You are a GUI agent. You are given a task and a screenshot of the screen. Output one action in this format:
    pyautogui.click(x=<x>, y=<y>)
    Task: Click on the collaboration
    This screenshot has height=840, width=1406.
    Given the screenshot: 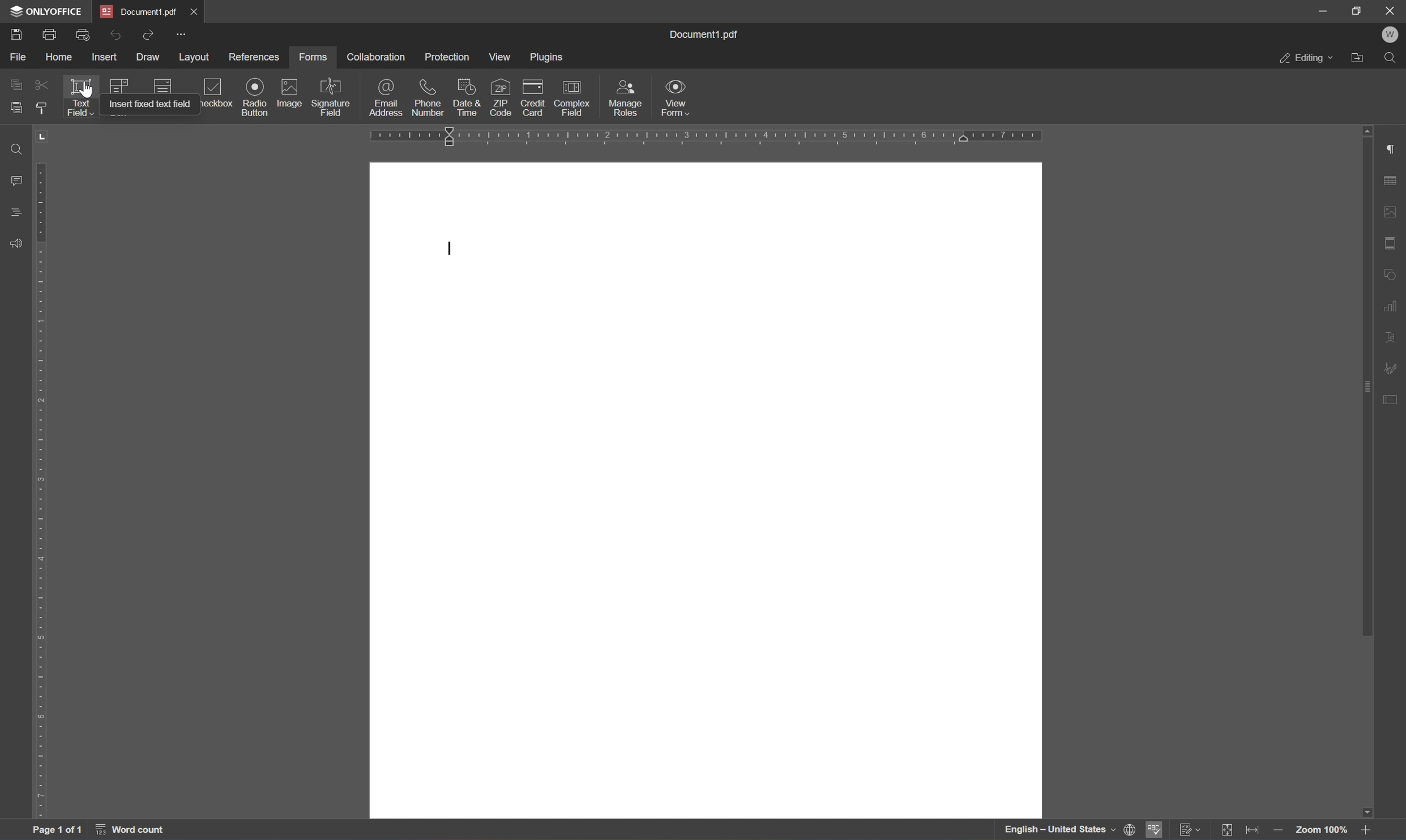 What is the action you would take?
    pyautogui.click(x=378, y=58)
    